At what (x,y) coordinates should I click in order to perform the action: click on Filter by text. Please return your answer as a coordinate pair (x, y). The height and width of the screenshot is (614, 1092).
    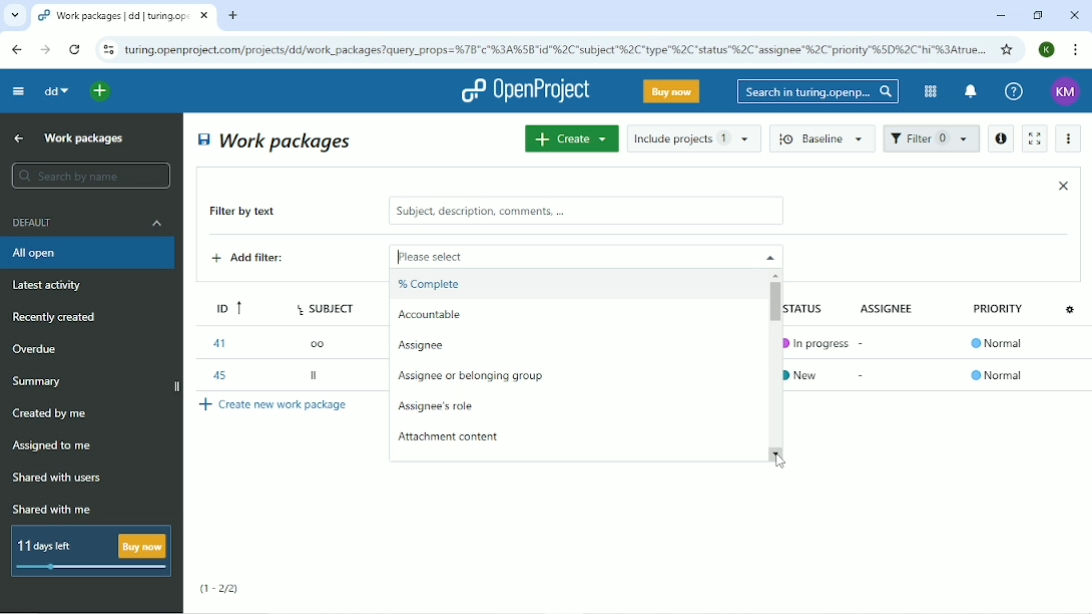
    Looking at the image, I should click on (257, 213).